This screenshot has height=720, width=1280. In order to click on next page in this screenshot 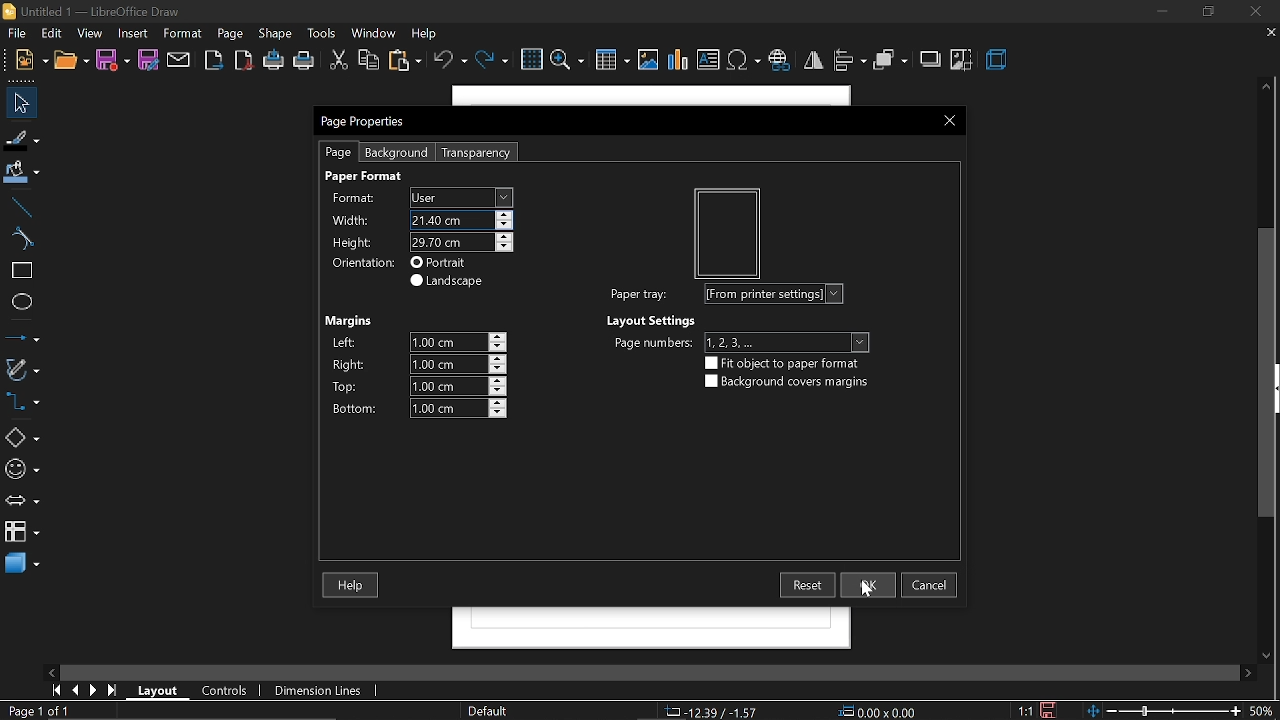, I will do `click(96, 692)`.